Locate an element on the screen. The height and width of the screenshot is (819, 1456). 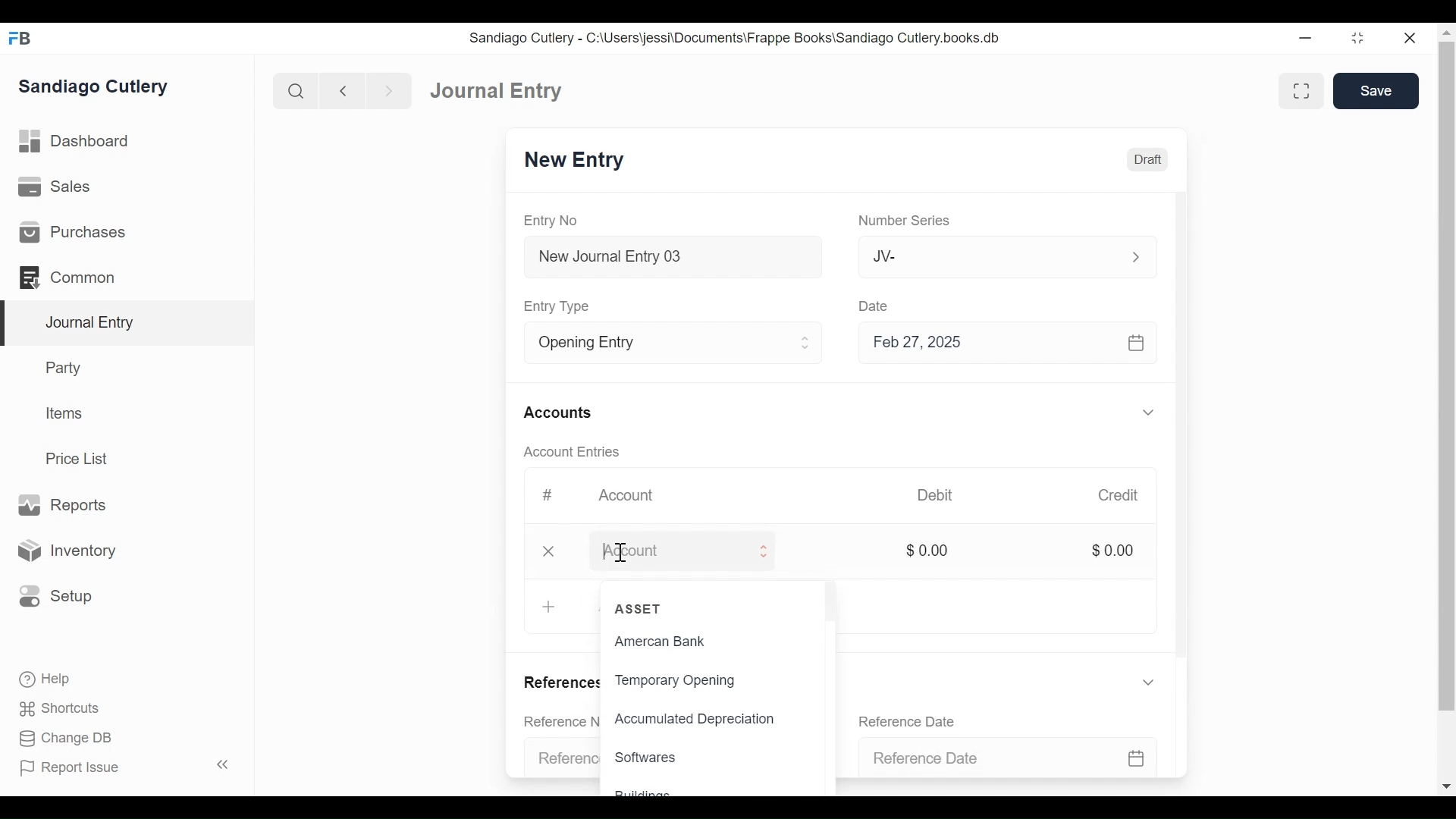
Reference Date is located at coordinates (1006, 754).